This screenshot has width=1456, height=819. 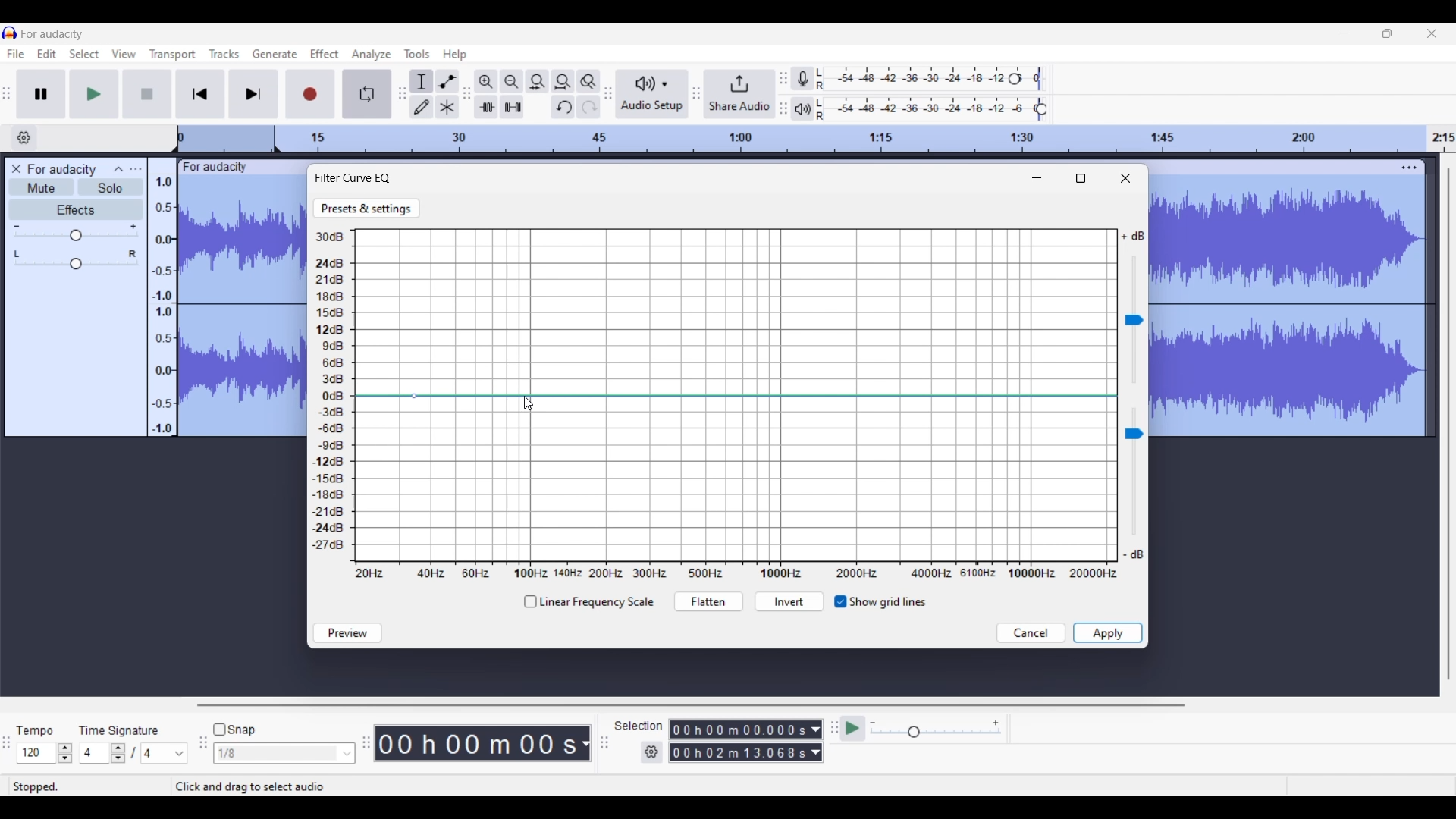 What do you see at coordinates (1081, 178) in the screenshot?
I see `Fullscreen` at bounding box center [1081, 178].